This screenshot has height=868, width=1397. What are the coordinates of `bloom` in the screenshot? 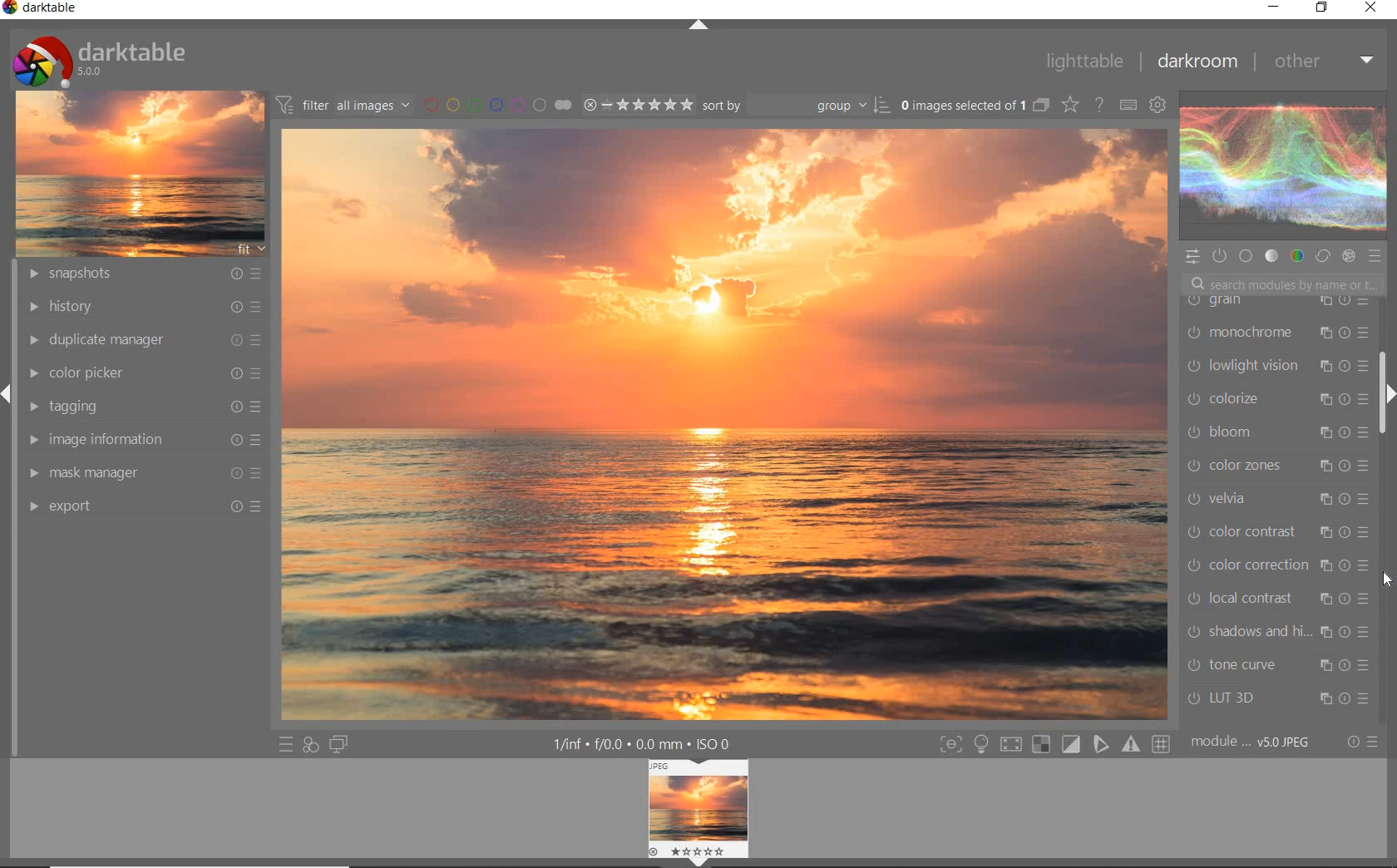 It's located at (1277, 435).